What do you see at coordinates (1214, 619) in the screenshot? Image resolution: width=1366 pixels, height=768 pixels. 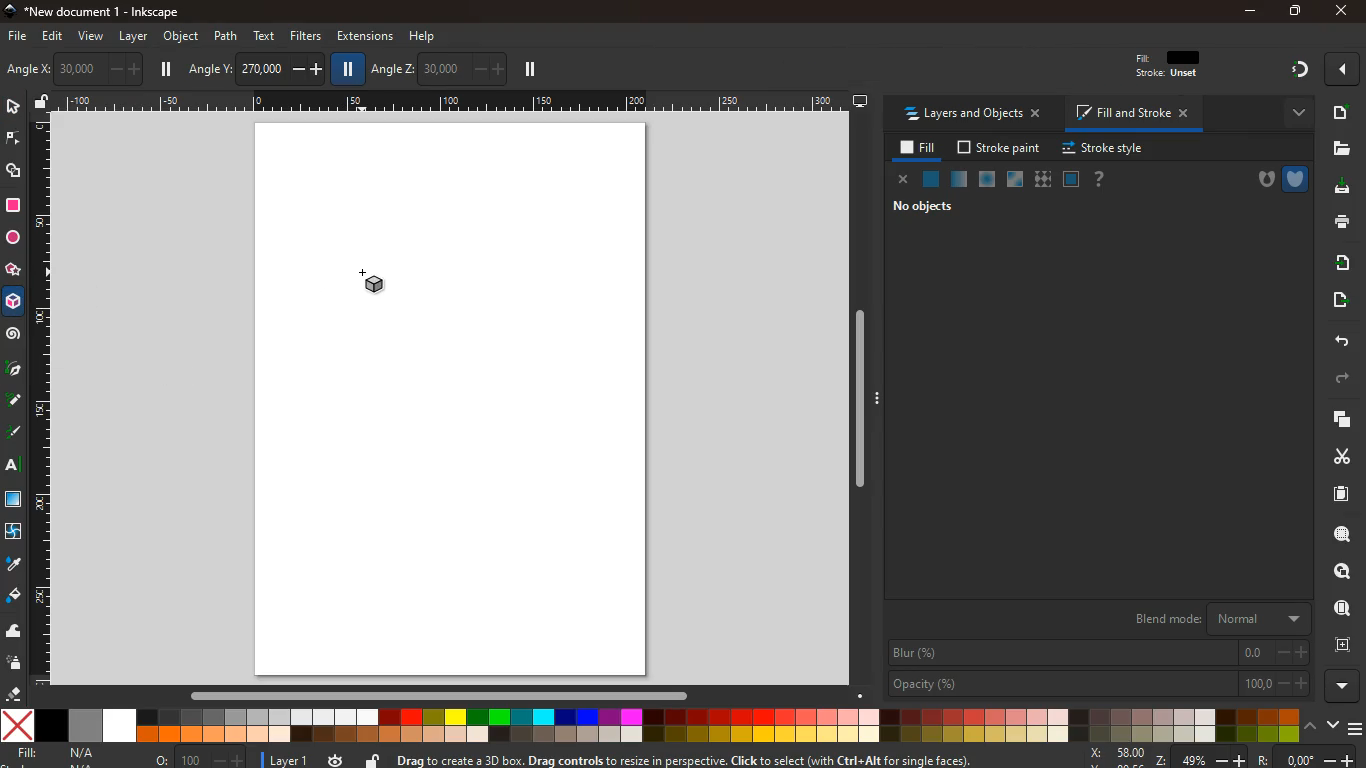 I see `blend mode` at bounding box center [1214, 619].